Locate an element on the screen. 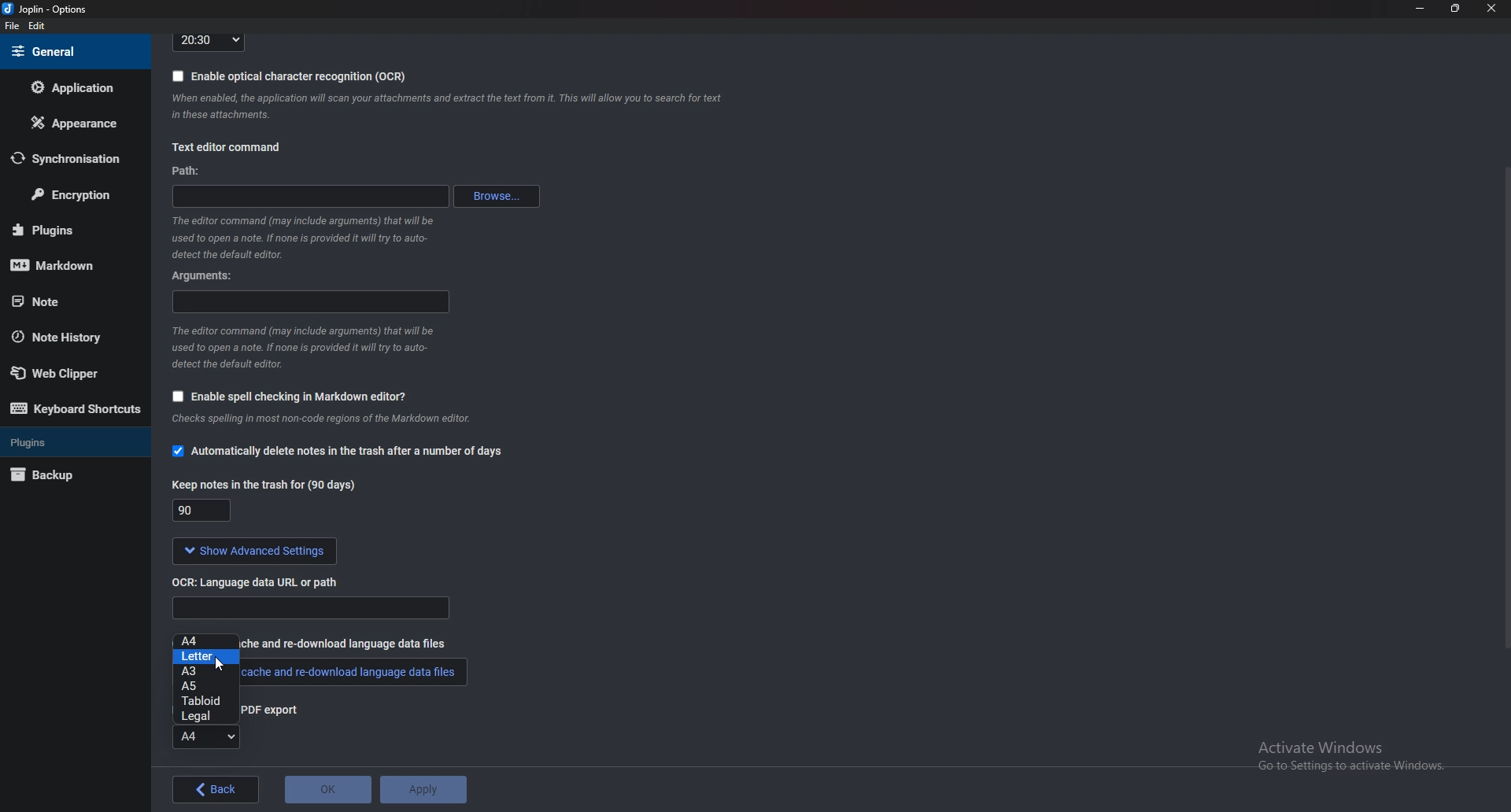  back is located at coordinates (218, 789).